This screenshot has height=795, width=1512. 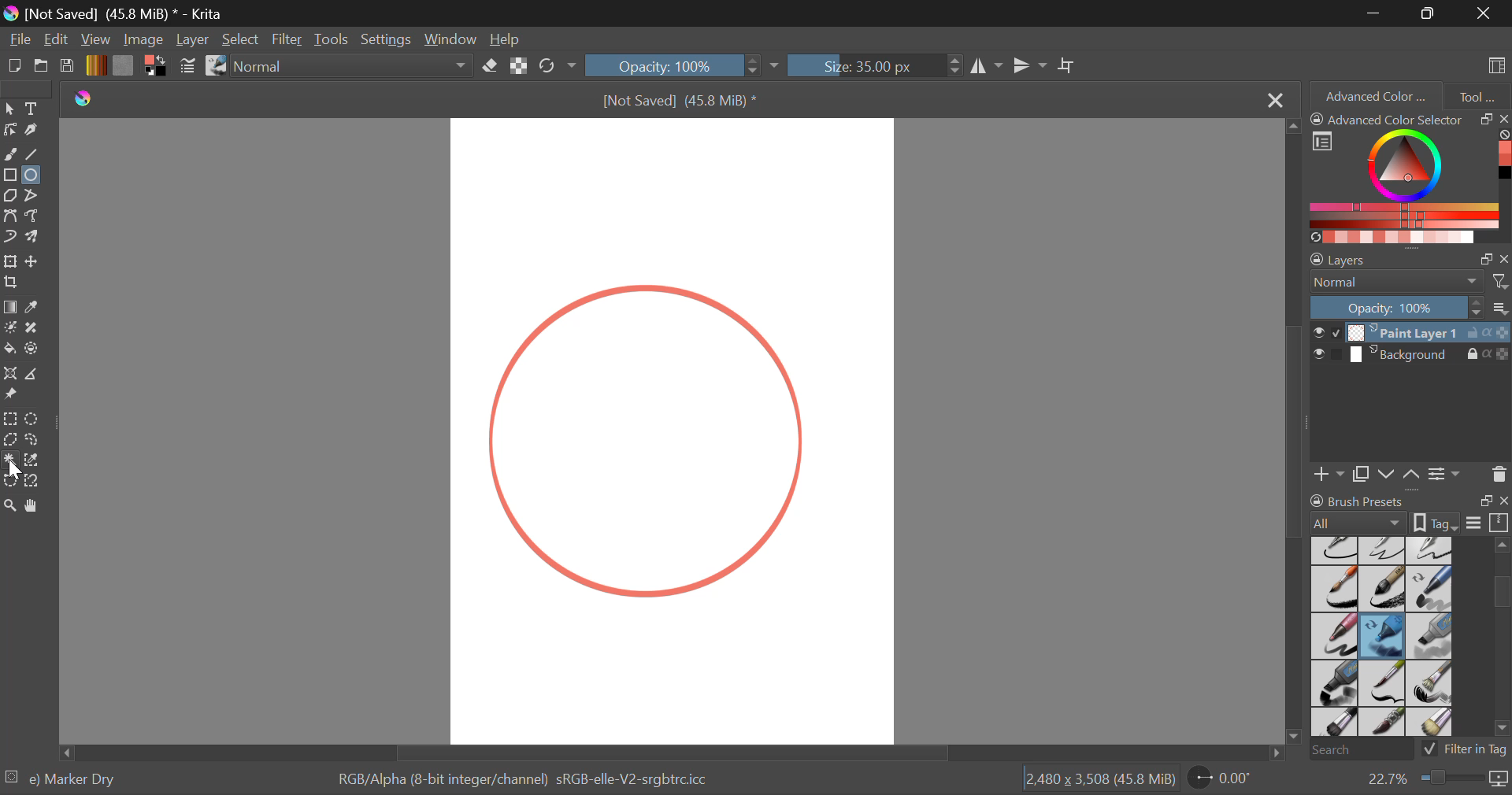 What do you see at coordinates (1430, 549) in the screenshot?
I see `Ink-4 Pen Rough` at bounding box center [1430, 549].